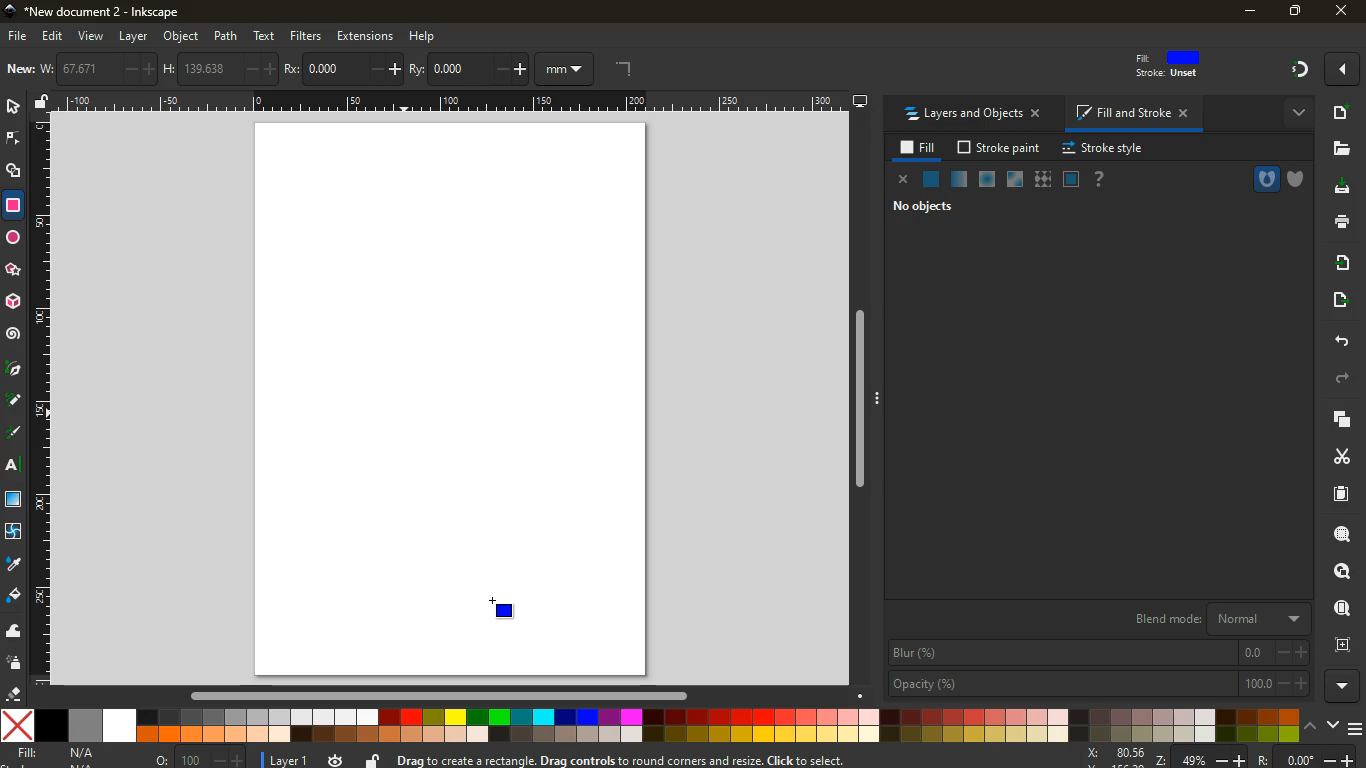 The width and height of the screenshot is (1366, 768). I want to click on files, so click(1334, 148).